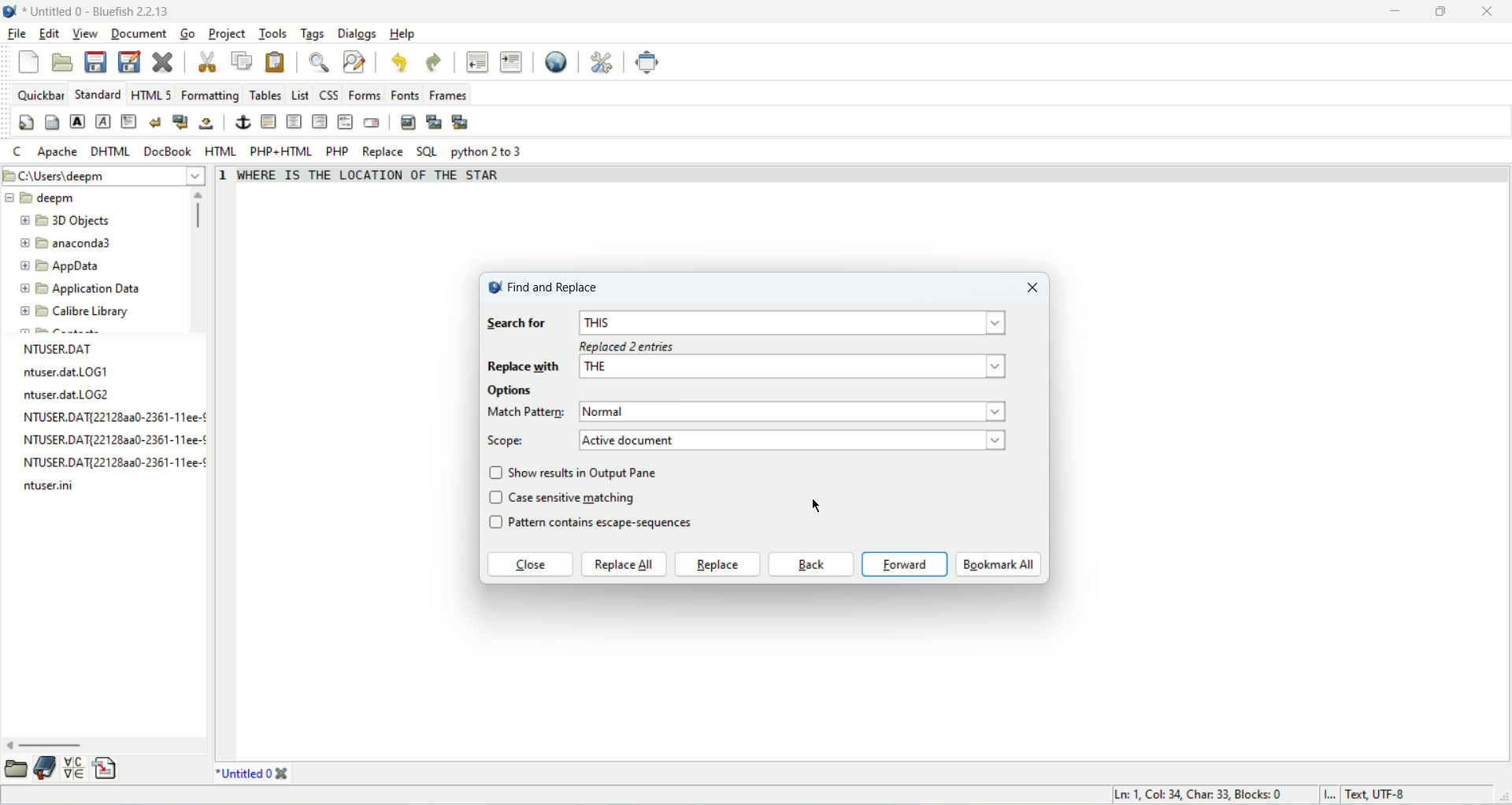 This screenshot has height=805, width=1512. Describe the element at coordinates (180, 121) in the screenshot. I see `break and clear` at that location.